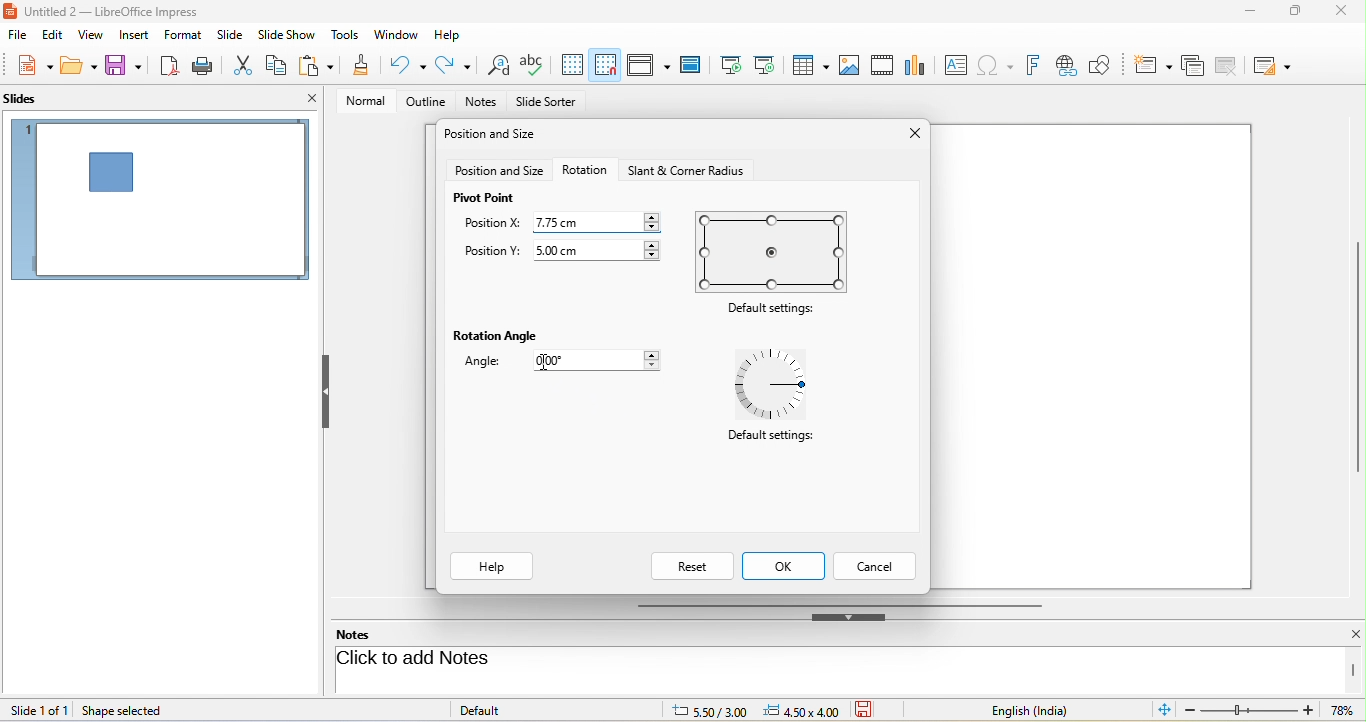 The width and height of the screenshot is (1366, 722). Describe the element at coordinates (546, 103) in the screenshot. I see `slide sorter` at that location.